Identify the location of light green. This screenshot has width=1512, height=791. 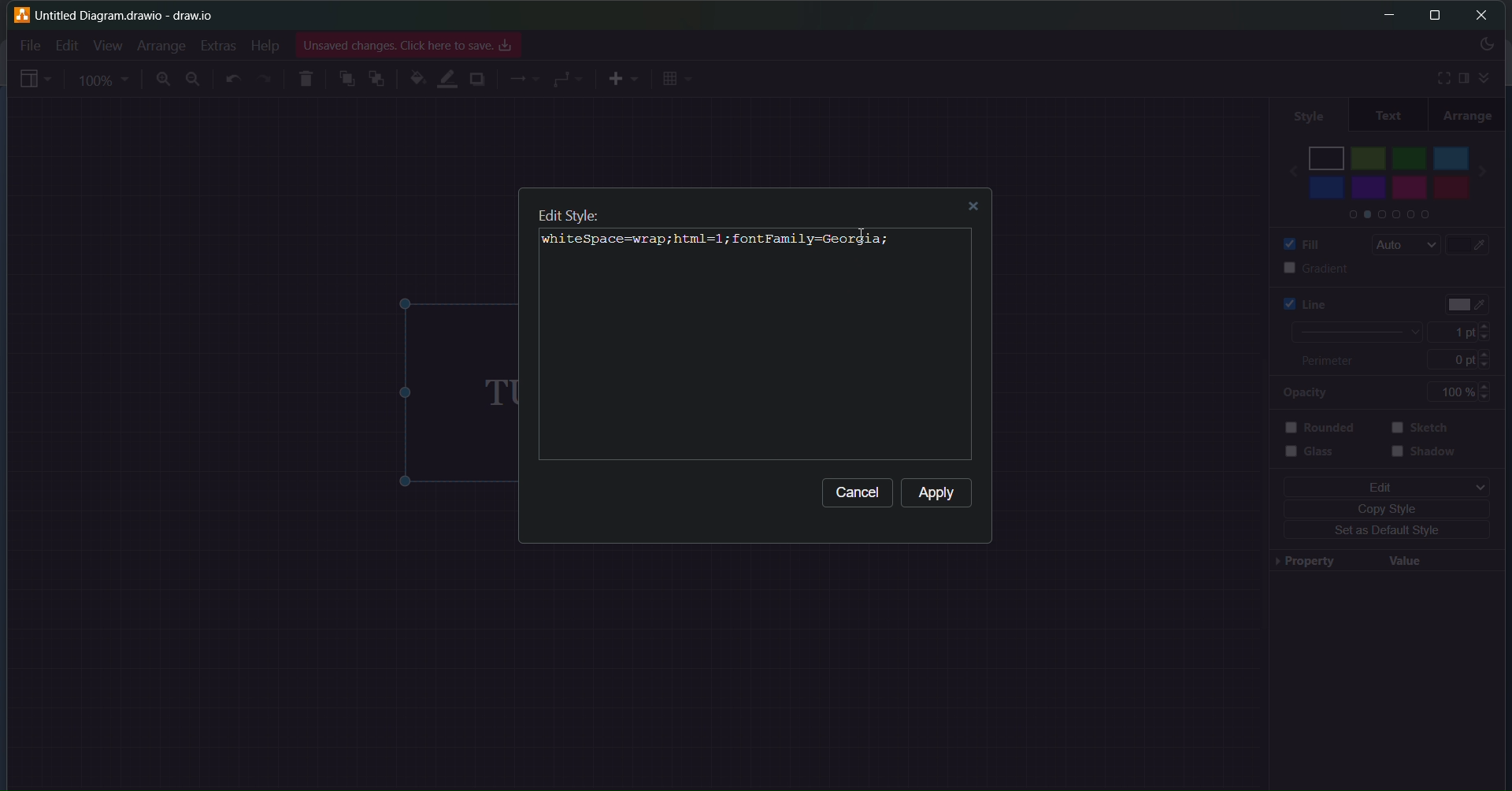
(1369, 158).